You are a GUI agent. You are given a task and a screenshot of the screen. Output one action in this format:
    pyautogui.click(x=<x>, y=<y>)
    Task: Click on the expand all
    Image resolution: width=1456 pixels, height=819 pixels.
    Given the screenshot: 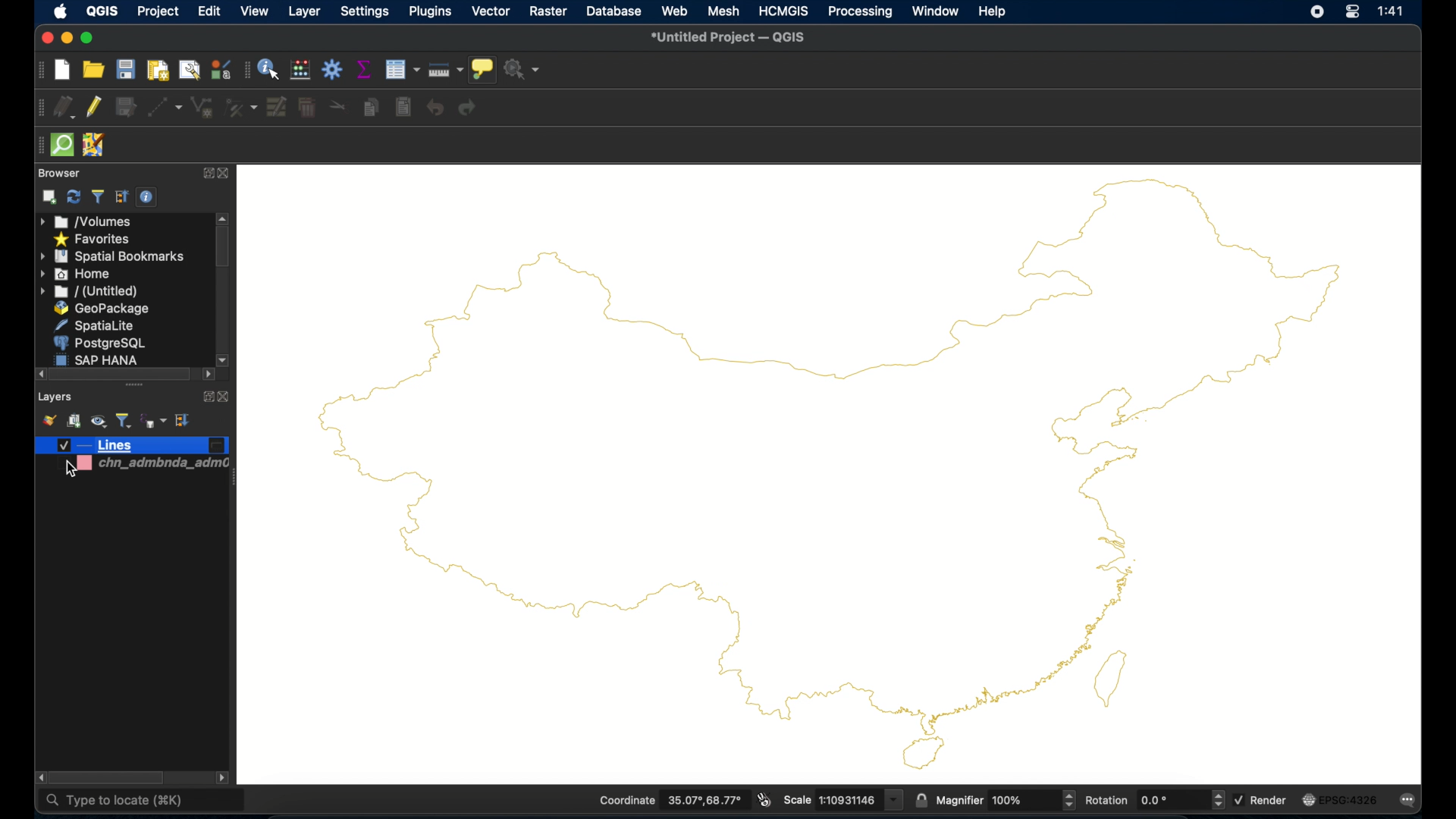 What is the action you would take?
    pyautogui.click(x=122, y=197)
    